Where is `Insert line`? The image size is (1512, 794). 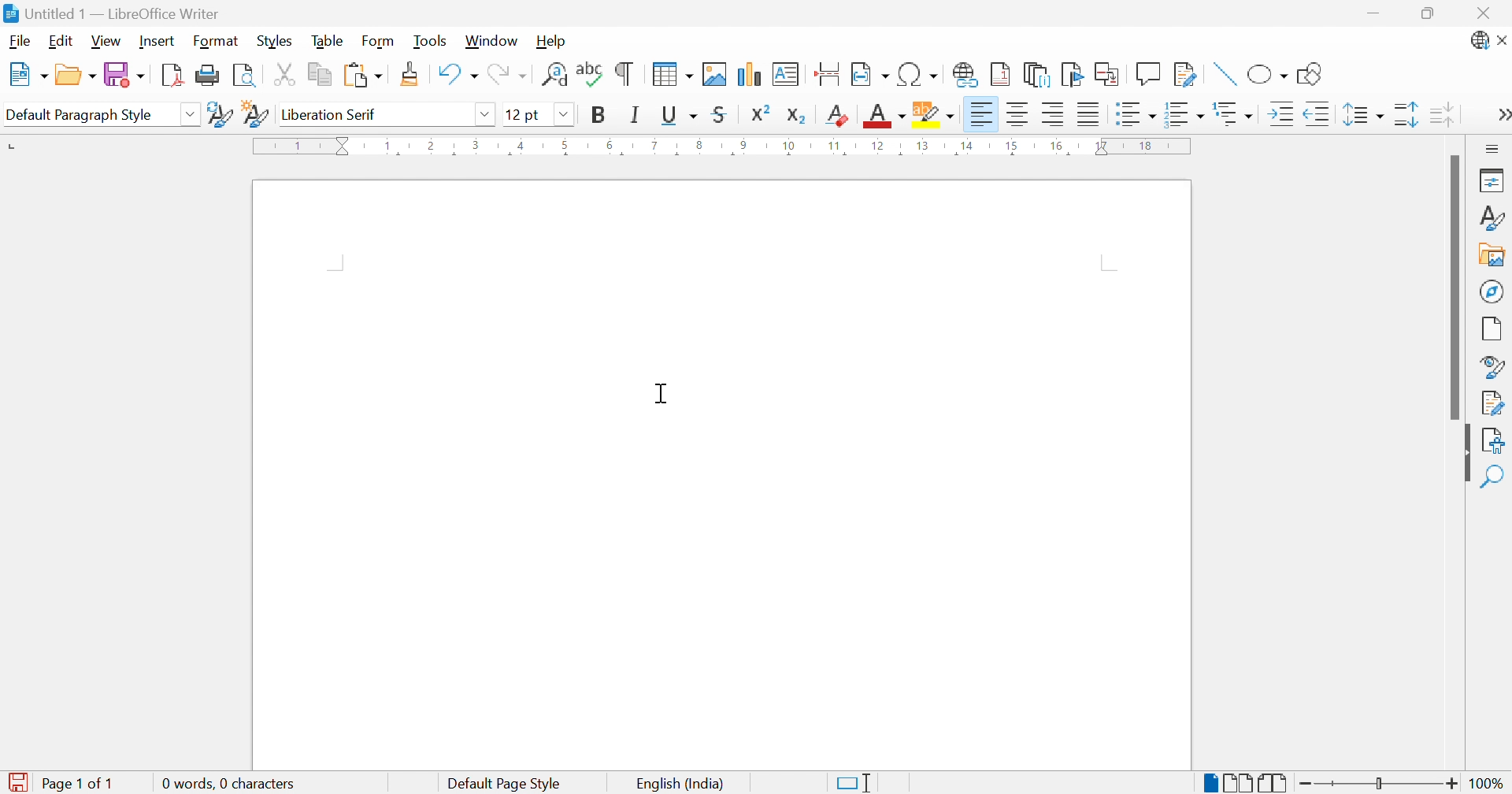 Insert line is located at coordinates (1223, 76).